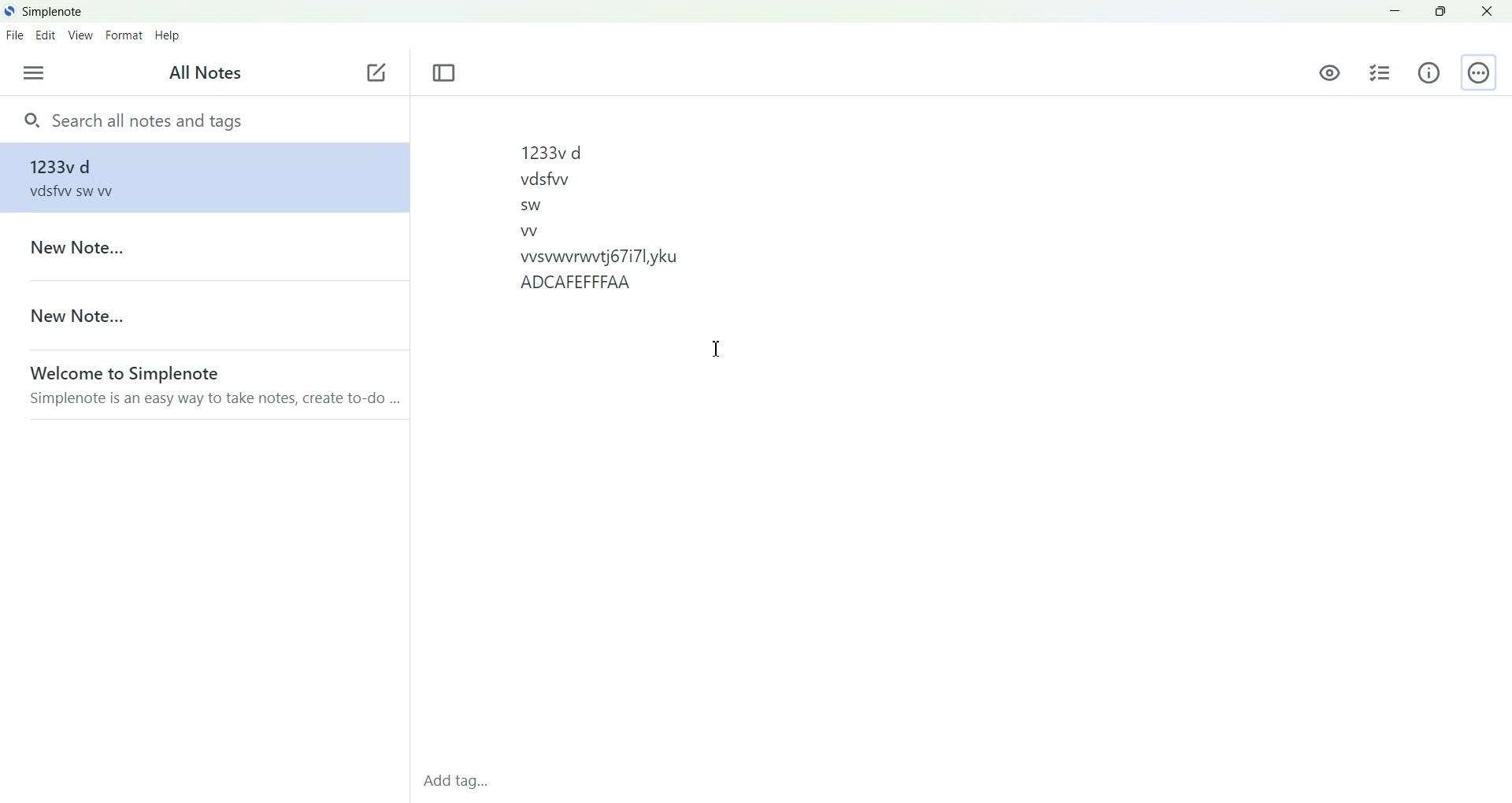  I want to click on Maximize, so click(1440, 12).